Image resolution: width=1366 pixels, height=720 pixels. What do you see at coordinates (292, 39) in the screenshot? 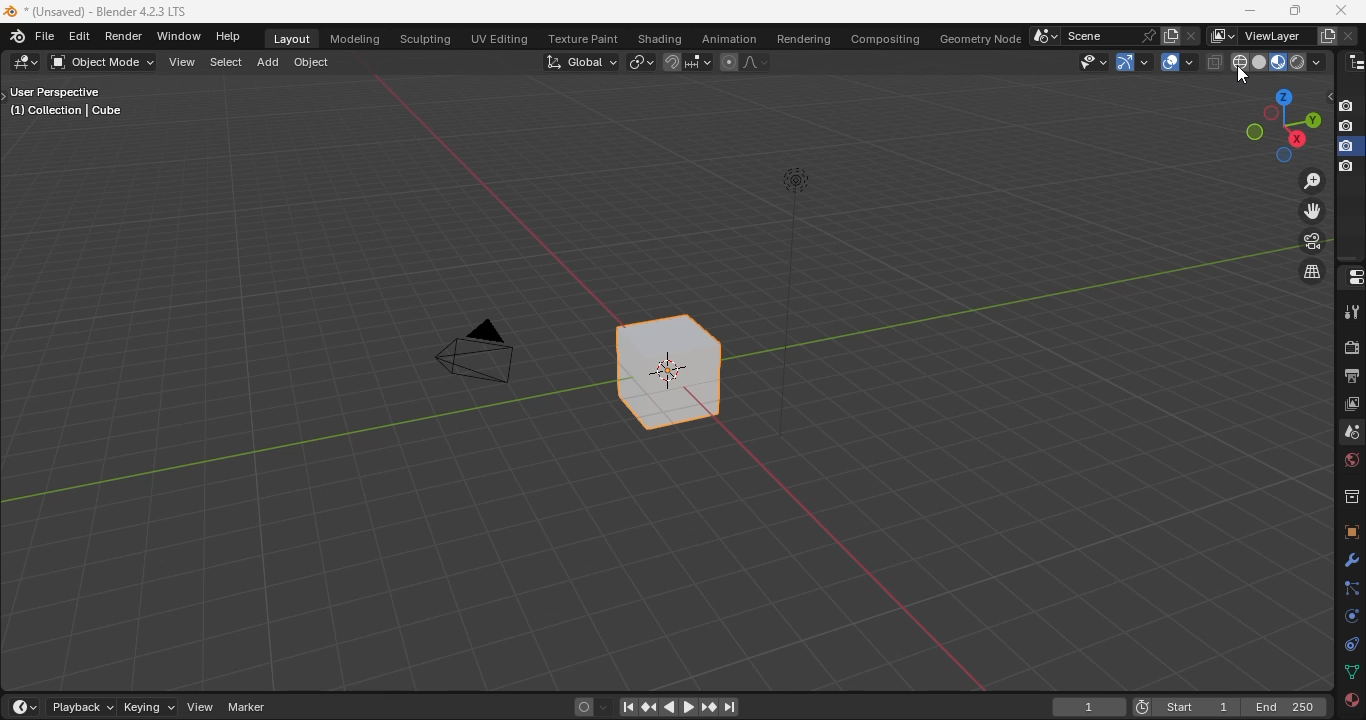
I see `layout` at bounding box center [292, 39].